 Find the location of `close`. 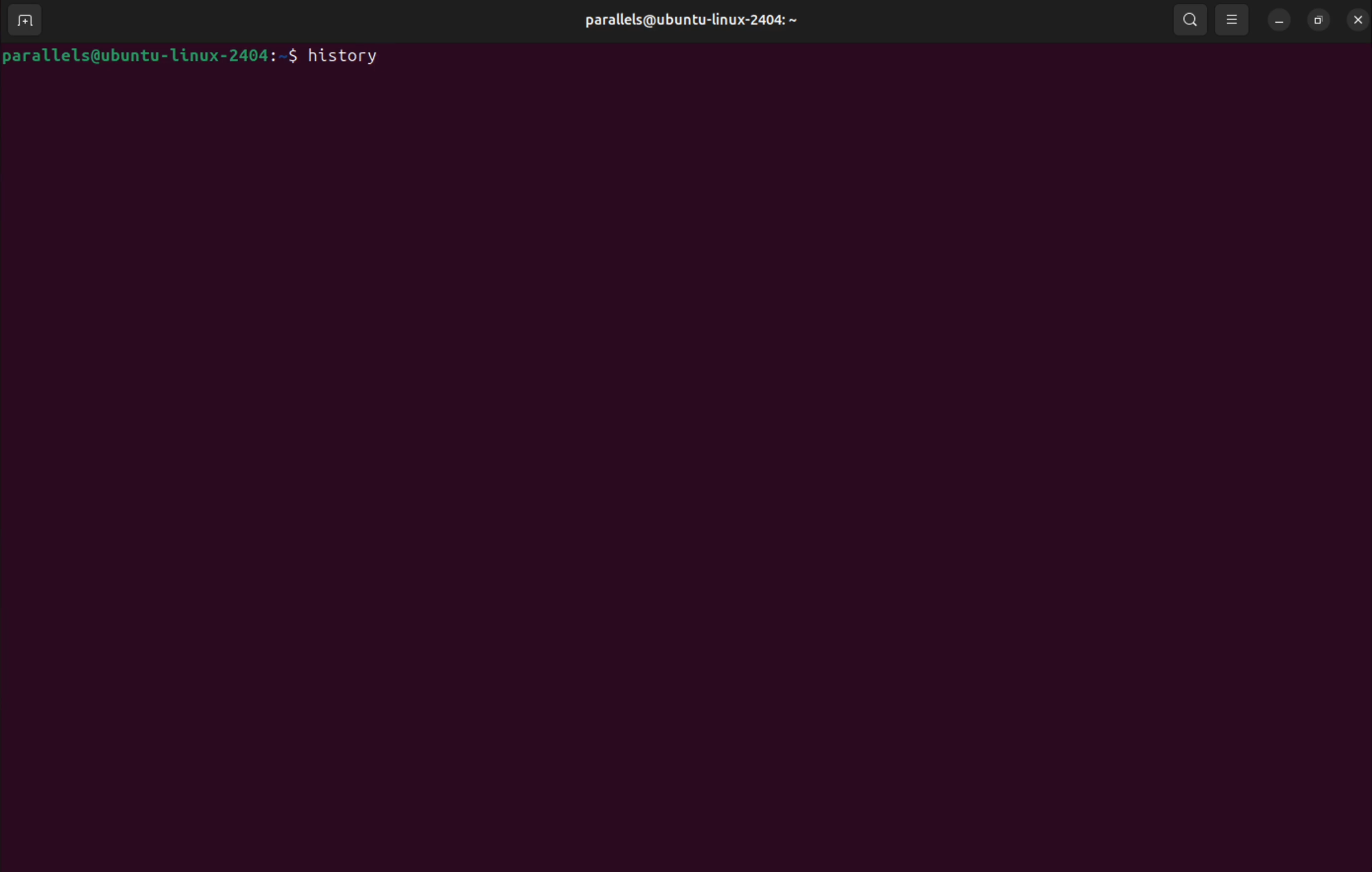

close is located at coordinates (1355, 17).